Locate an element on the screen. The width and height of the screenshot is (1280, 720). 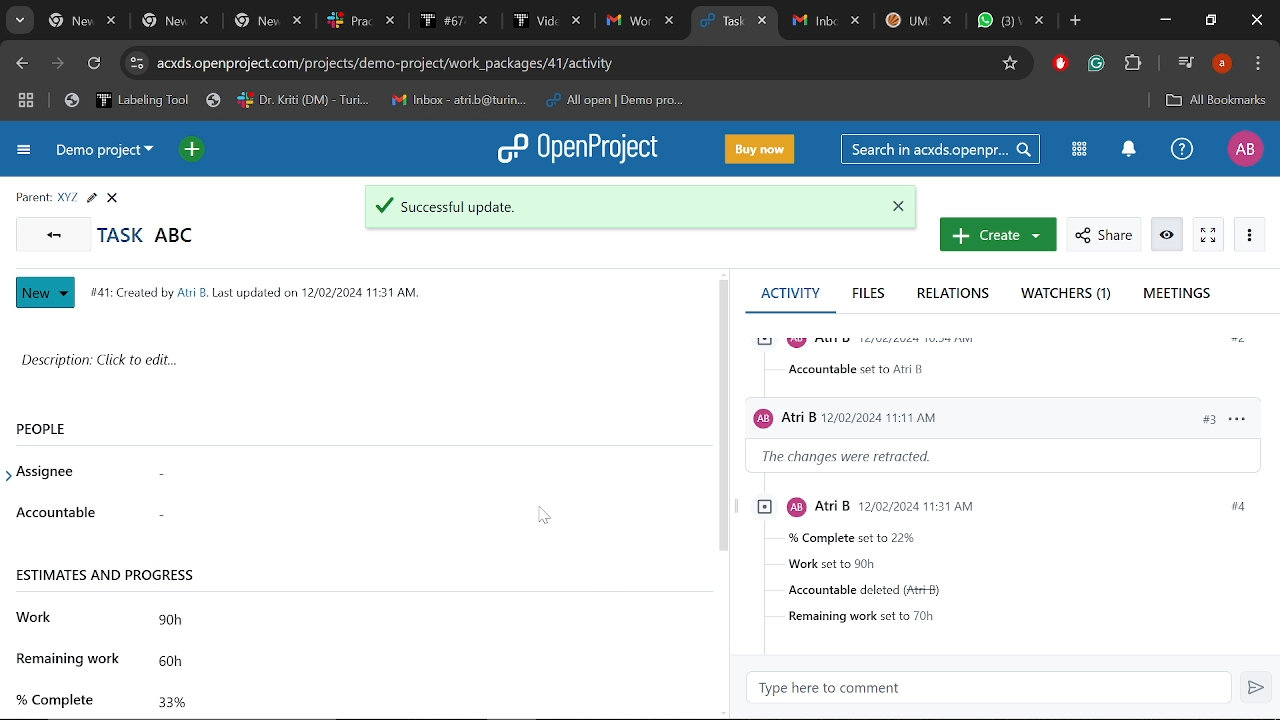
Add/remove bookmark is located at coordinates (1012, 61).